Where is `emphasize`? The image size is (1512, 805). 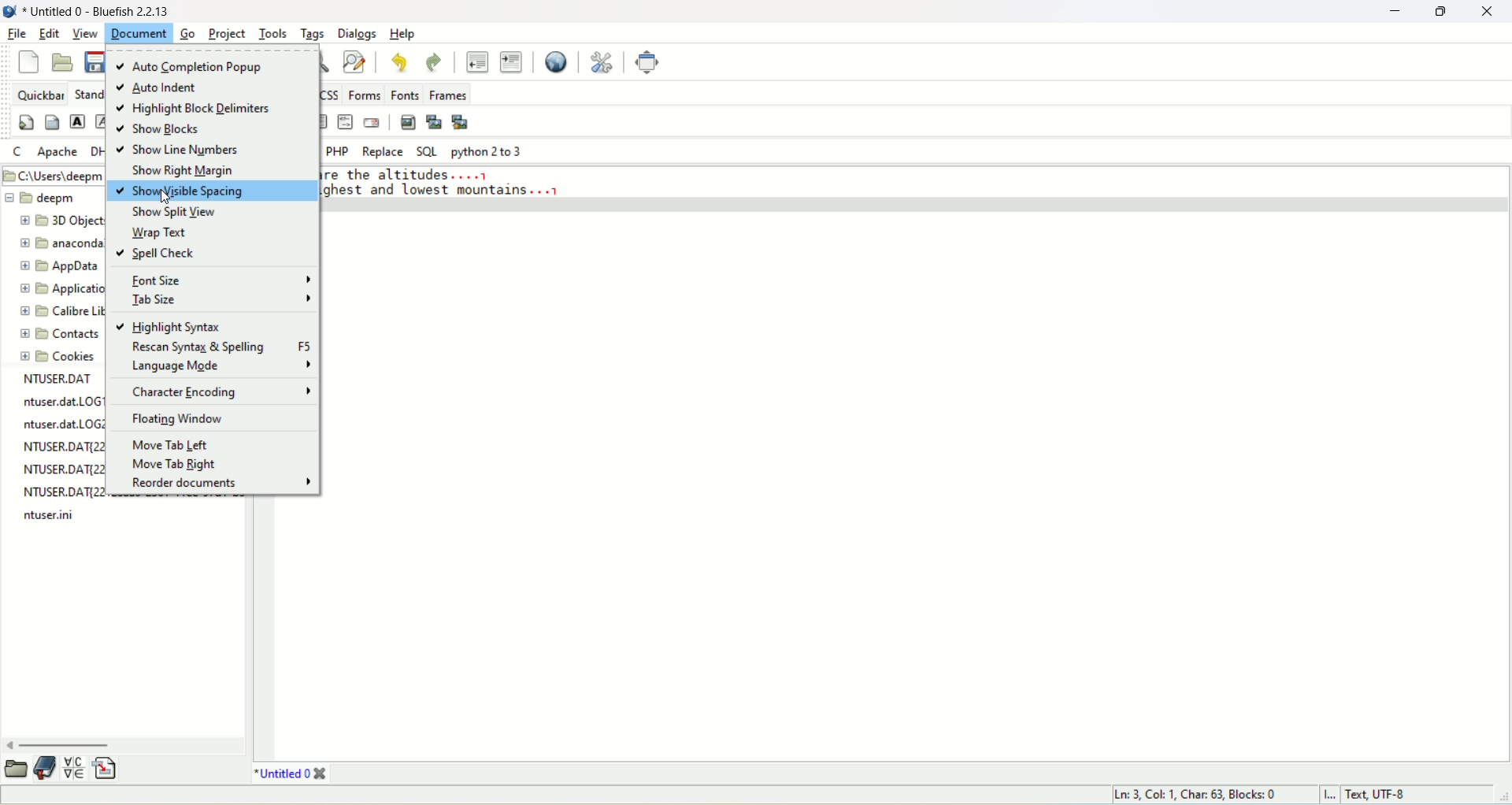
emphasize is located at coordinates (100, 123).